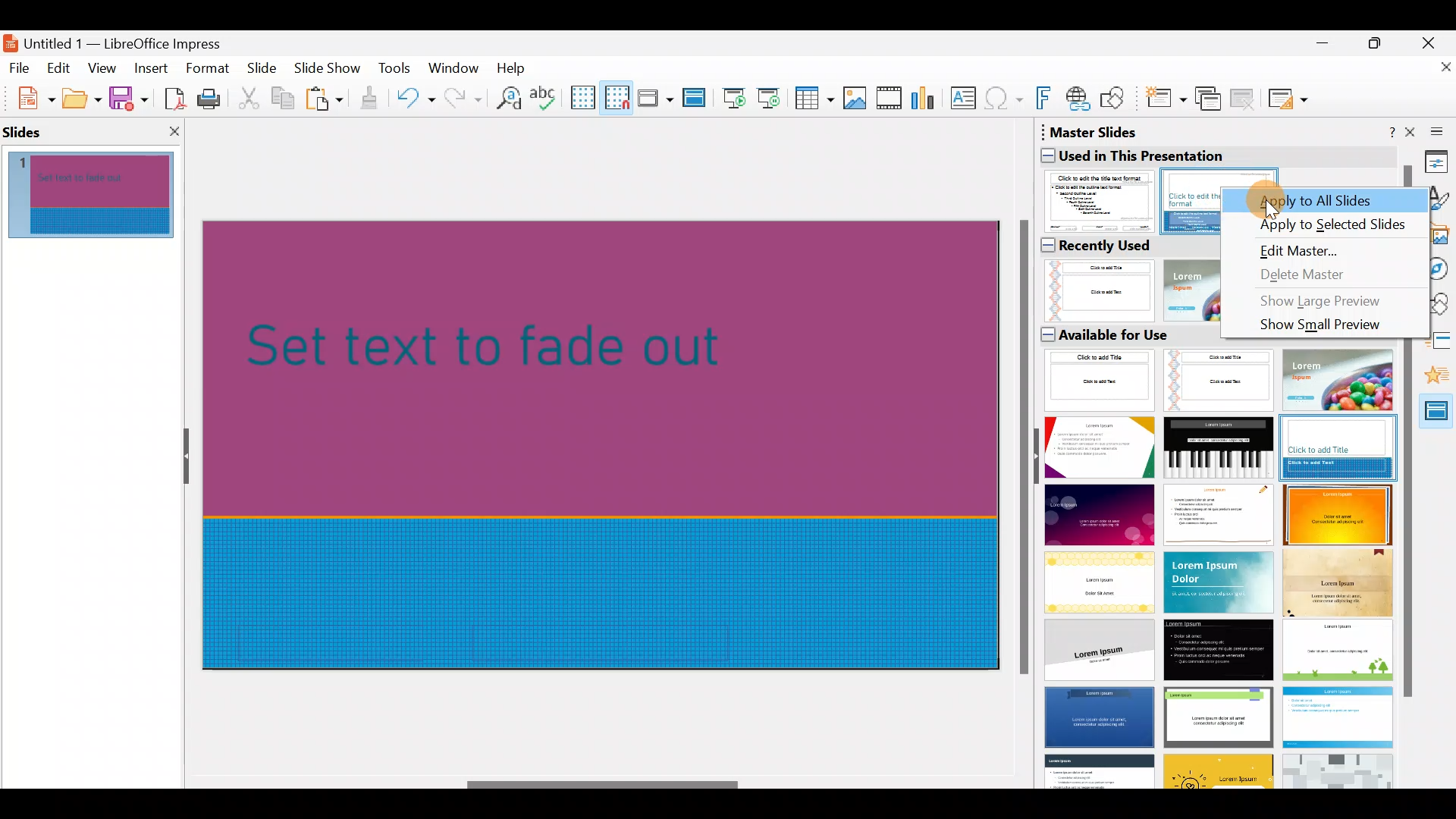 This screenshot has width=1456, height=819. I want to click on slides, so click(29, 130).